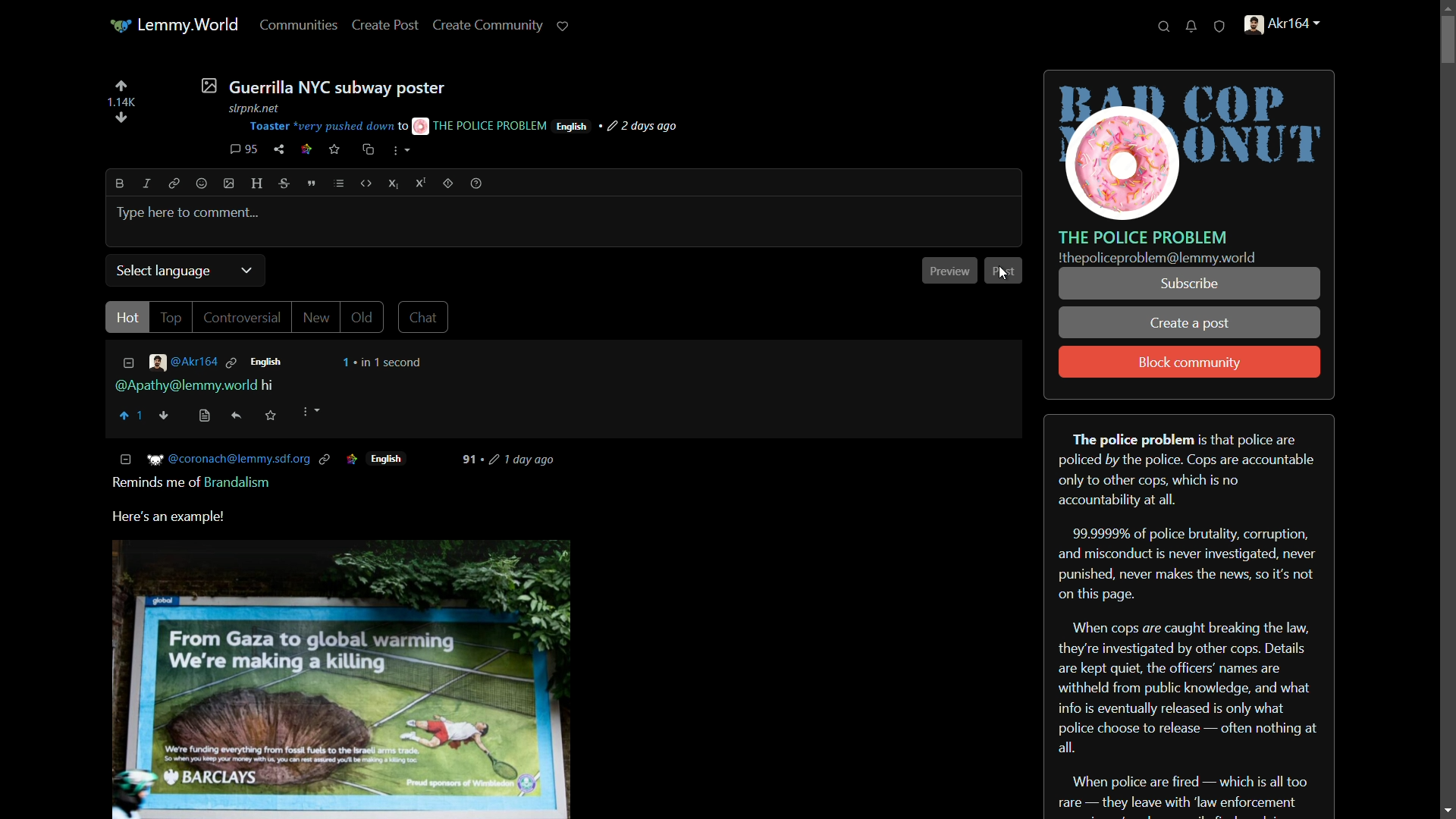 The height and width of the screenshot is (819, 1456). Describe the element at coordinates (367, 184) in the screenshot. I see `code` at that location.